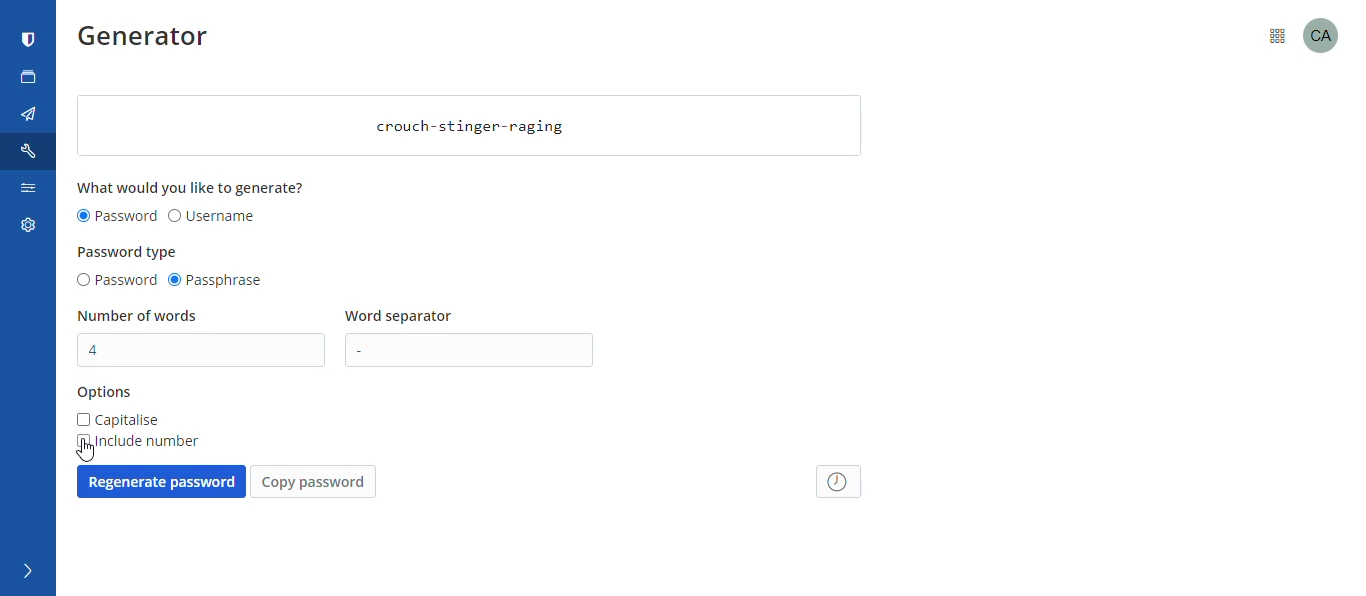 The width and height of the screenshot is (1366, 596). What do you see at coordinates (1328, 34) in the screenshot?
I see `profile picture` at bounding box center [1328, 34].